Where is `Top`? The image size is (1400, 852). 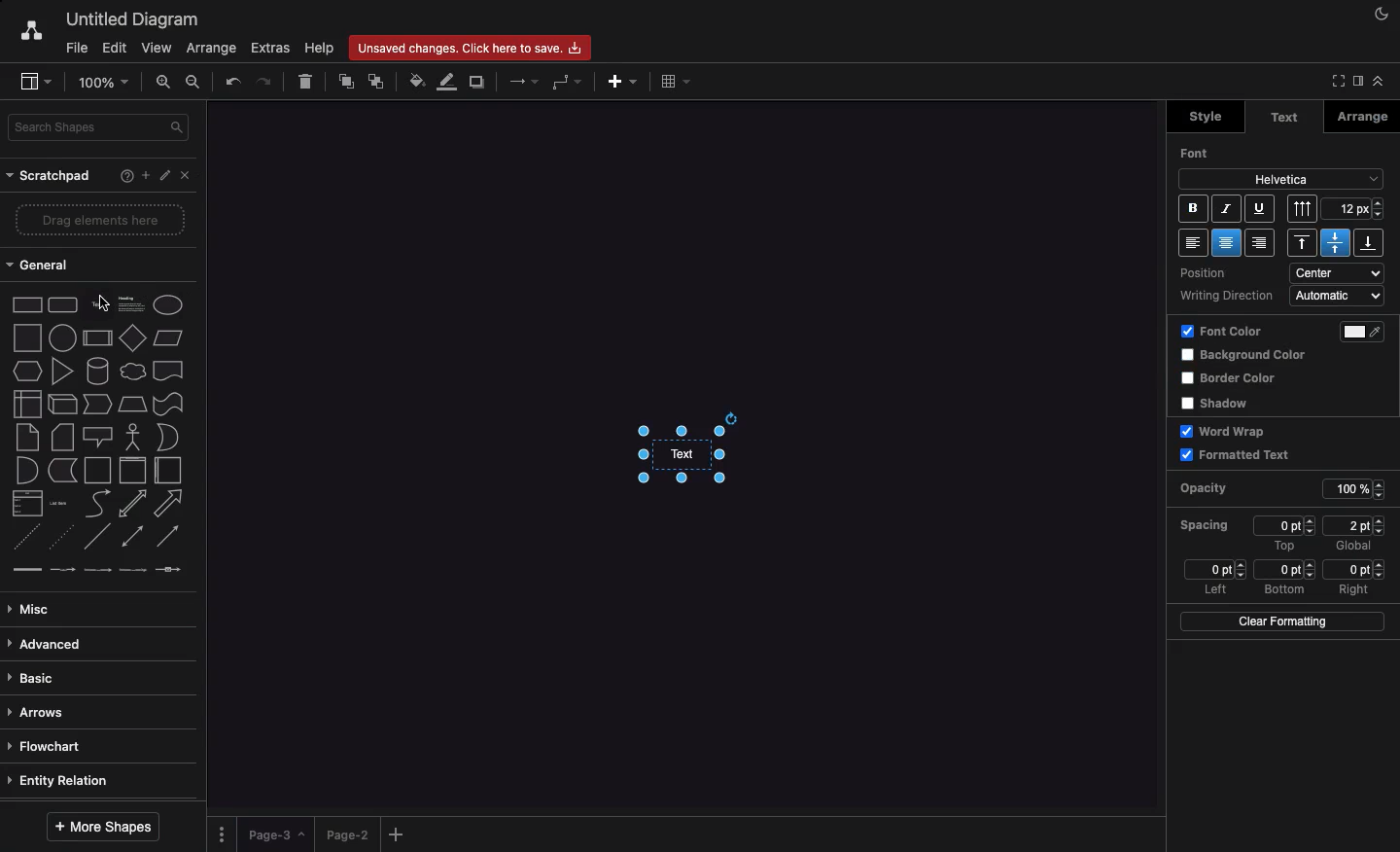
Top is located at coordinates (1283, 546).